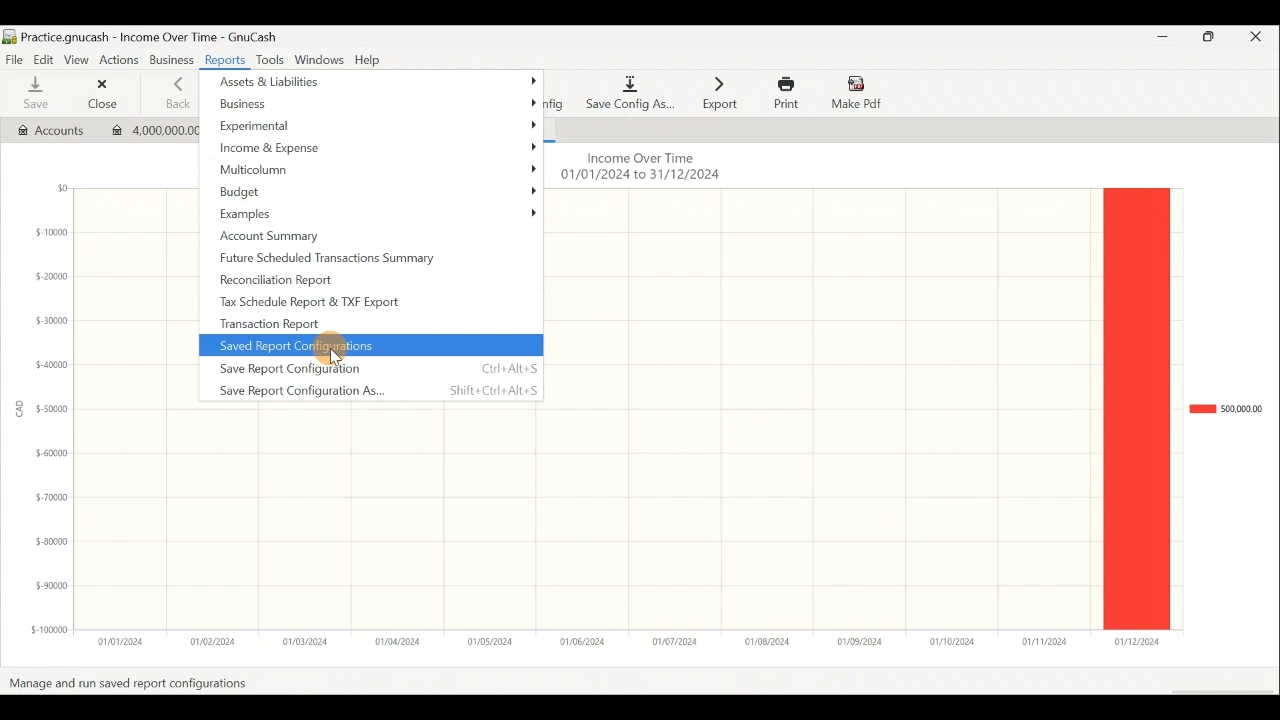 The image size is (1280, 720). What do you see at coordinates (150, 37) in the screenshot?
I see `Document name` at bounding box center [150, 37].